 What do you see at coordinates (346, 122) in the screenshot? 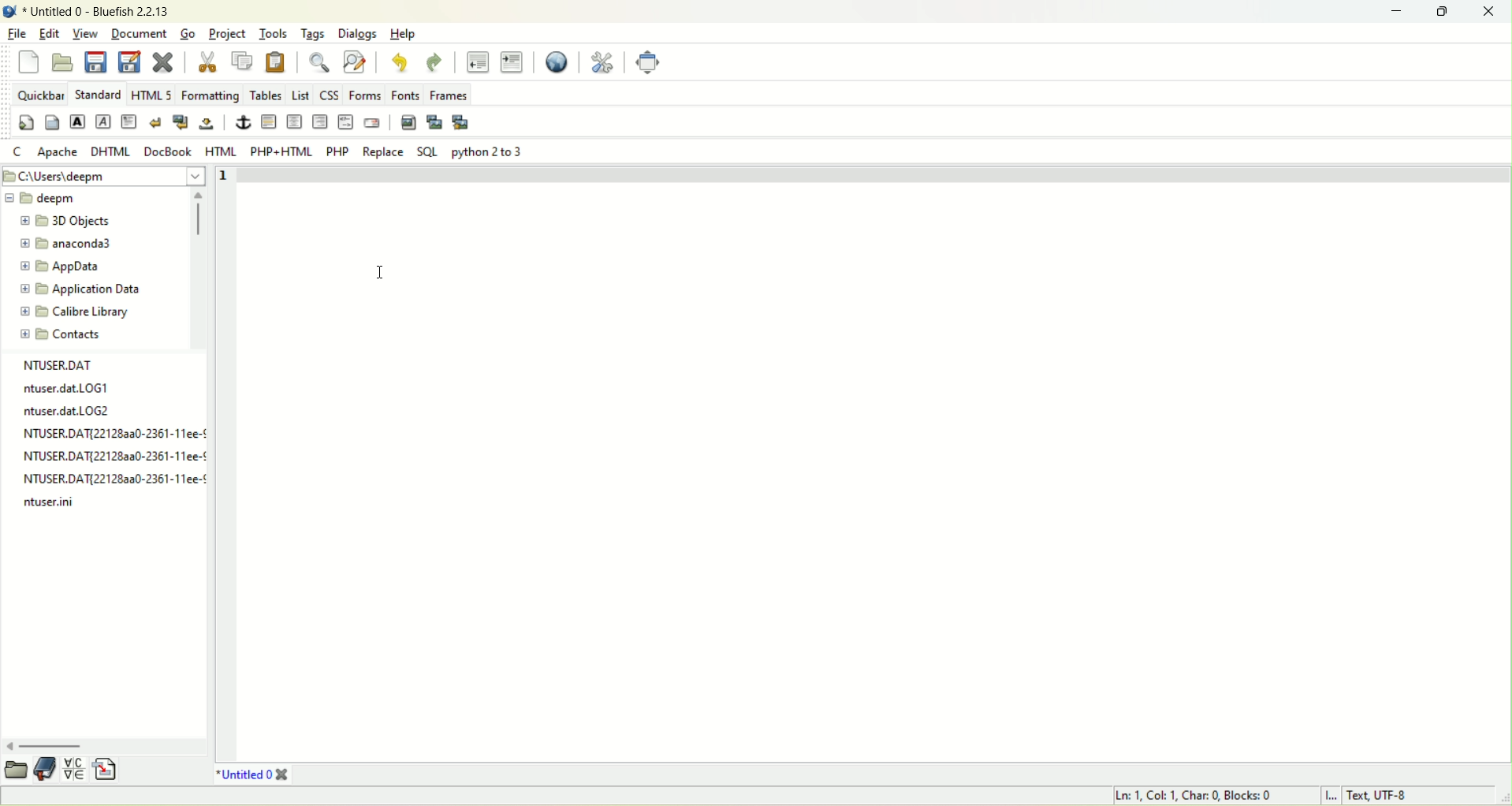
I see `html comment` at bounding box center [346, 122].